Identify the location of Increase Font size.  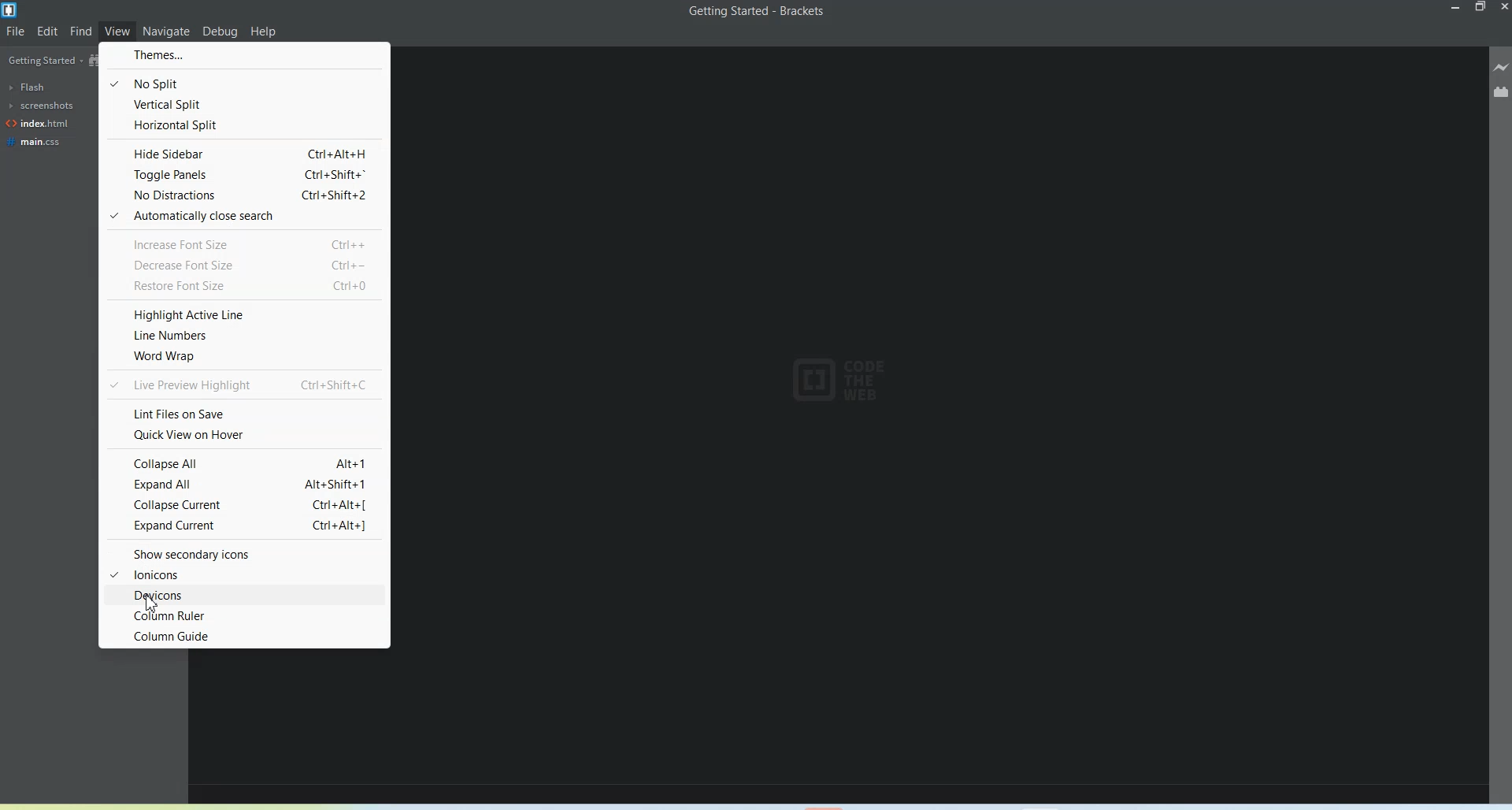
(244, 242).